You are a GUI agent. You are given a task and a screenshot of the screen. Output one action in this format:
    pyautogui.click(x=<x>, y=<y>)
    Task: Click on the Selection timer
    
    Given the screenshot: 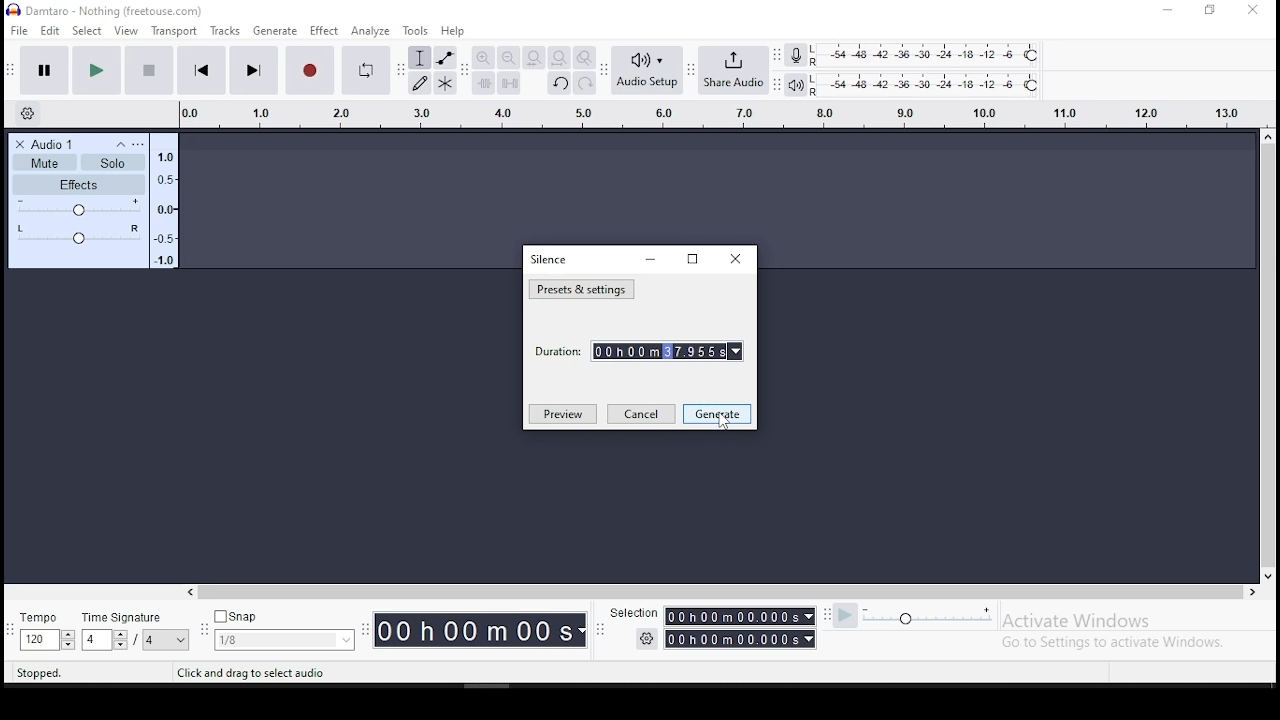 What is the action you would take?
    pyautogui.click(x=713, y=616)
    